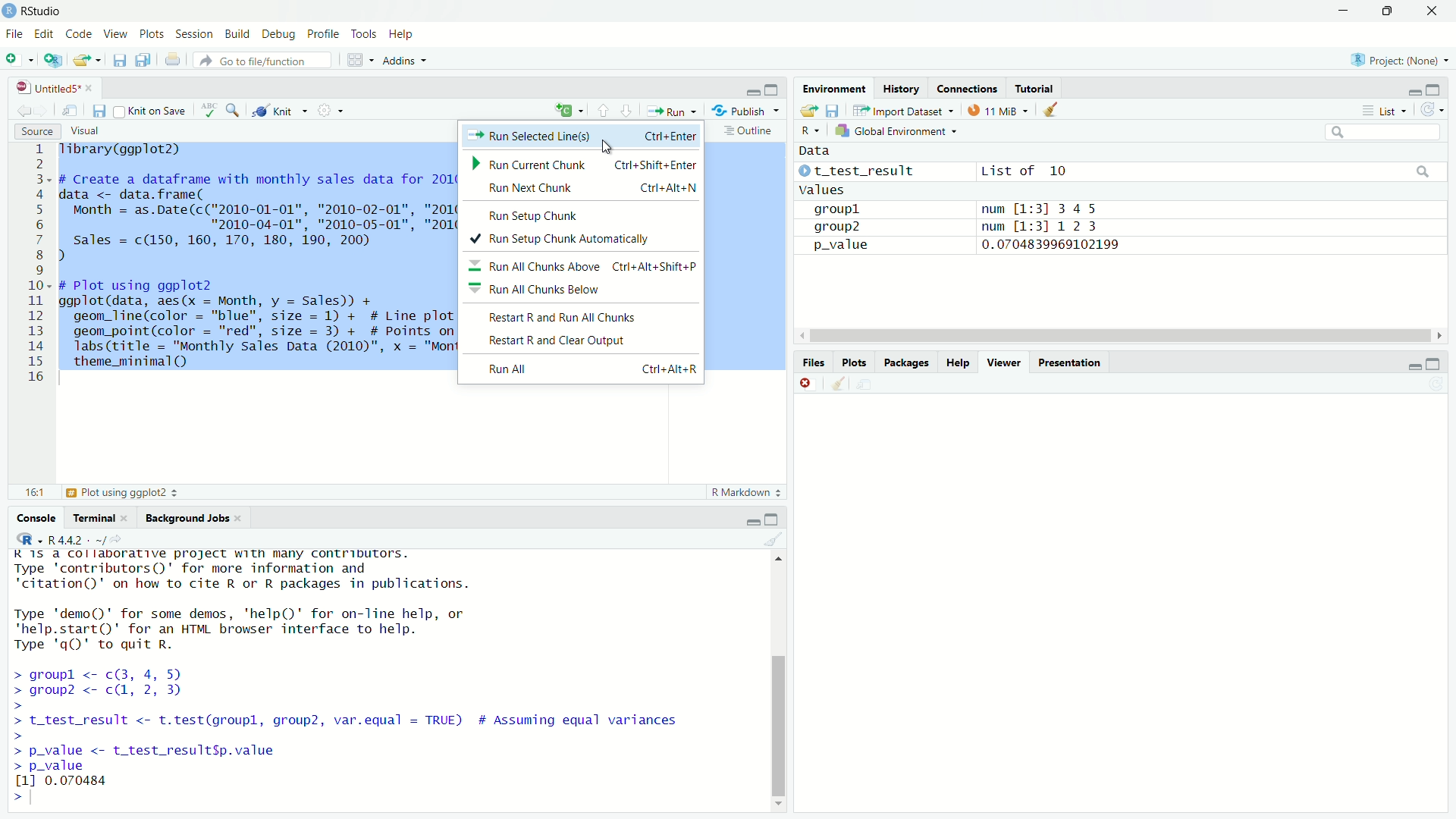 Image resolution: width=1456 pixels, height=819 pixels. What do you see at coordinates (809, 362) in the screenshot?
I see `Files` at bounding box center [809, 362].